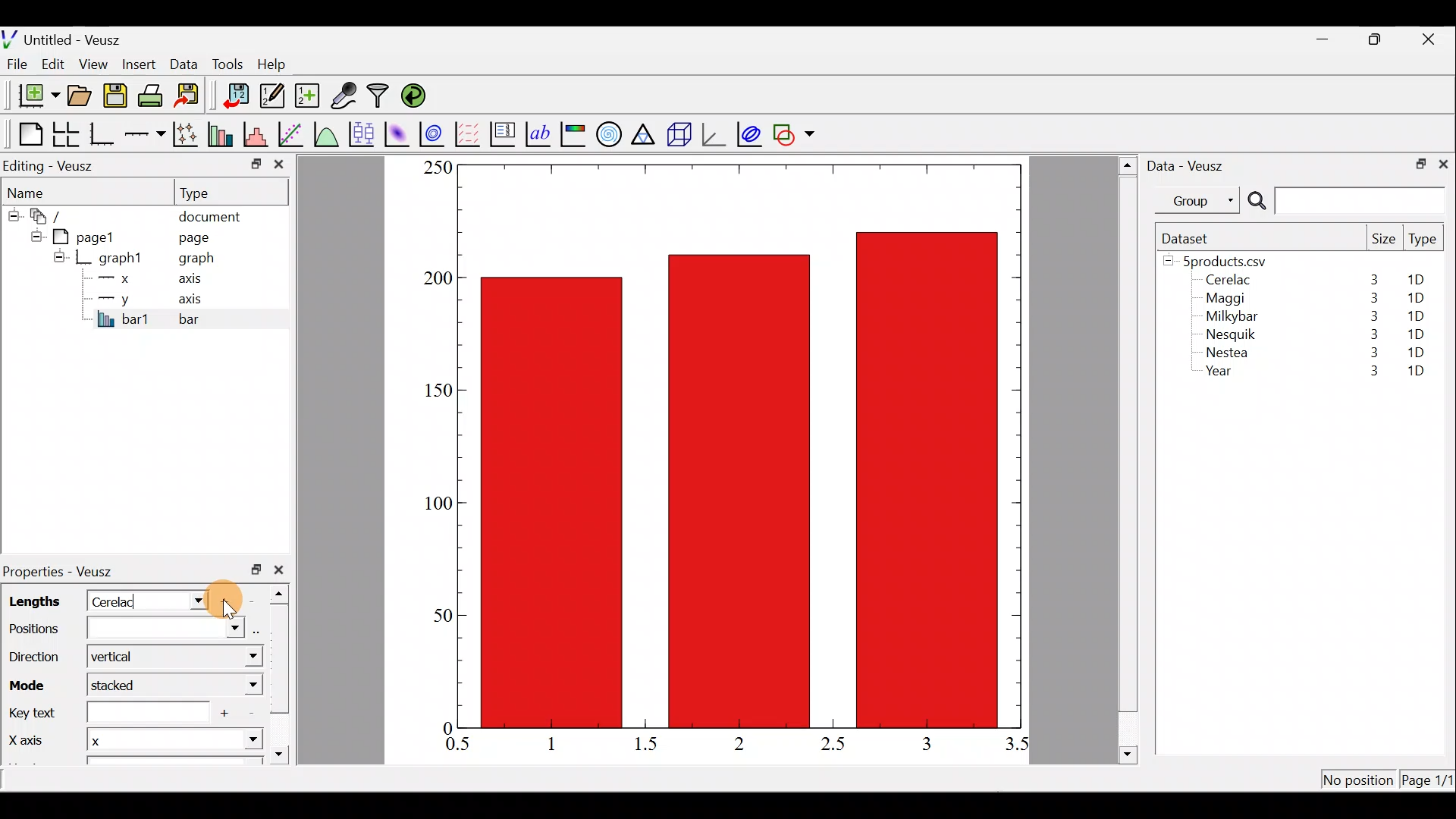 The height and width of the screenshot is (819, 1456). Describe the element at coordinates (1330, 38) in the screenshot. I see `minimize` at that location.